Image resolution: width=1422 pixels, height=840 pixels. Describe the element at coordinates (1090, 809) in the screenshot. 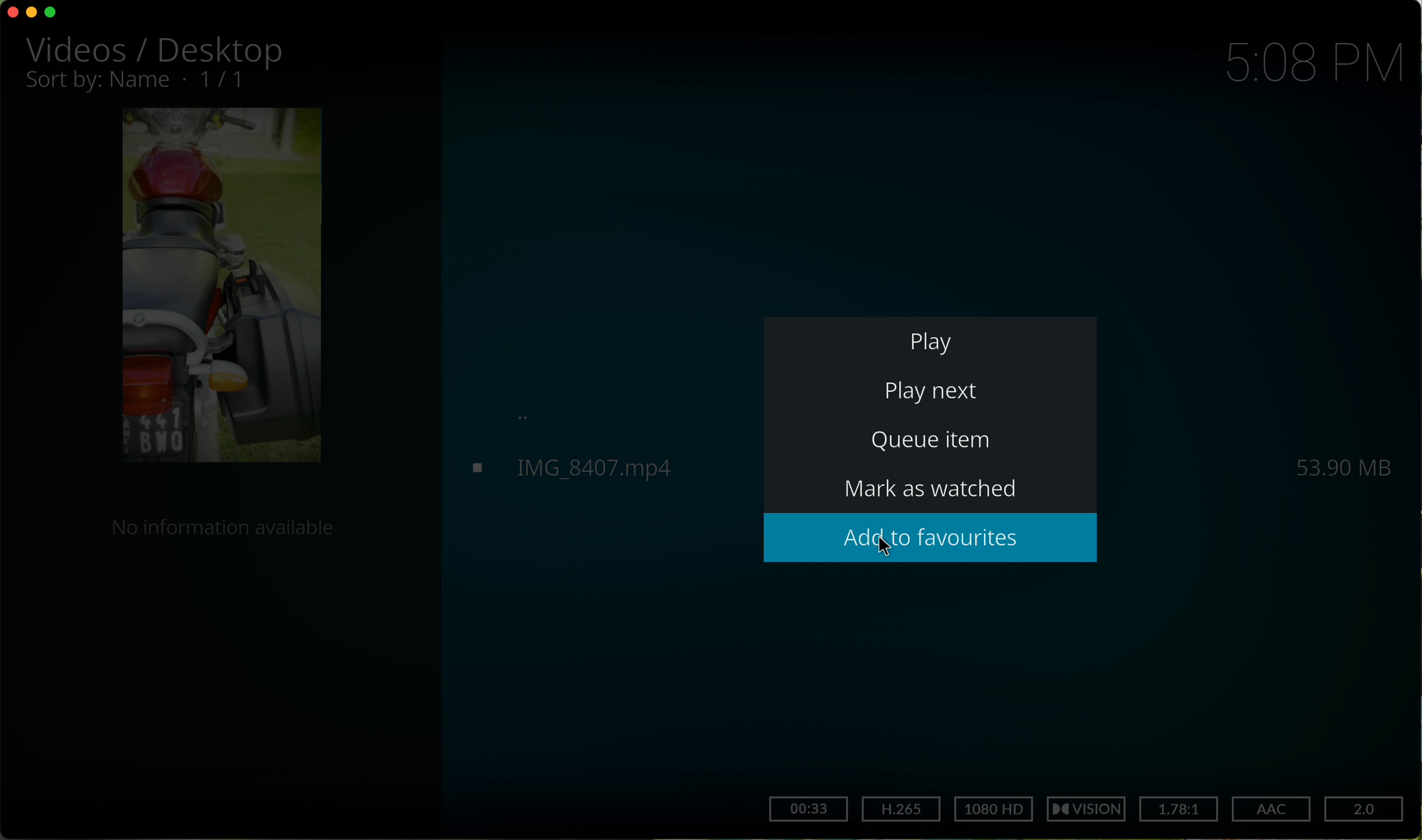

I see `vision` at that location.